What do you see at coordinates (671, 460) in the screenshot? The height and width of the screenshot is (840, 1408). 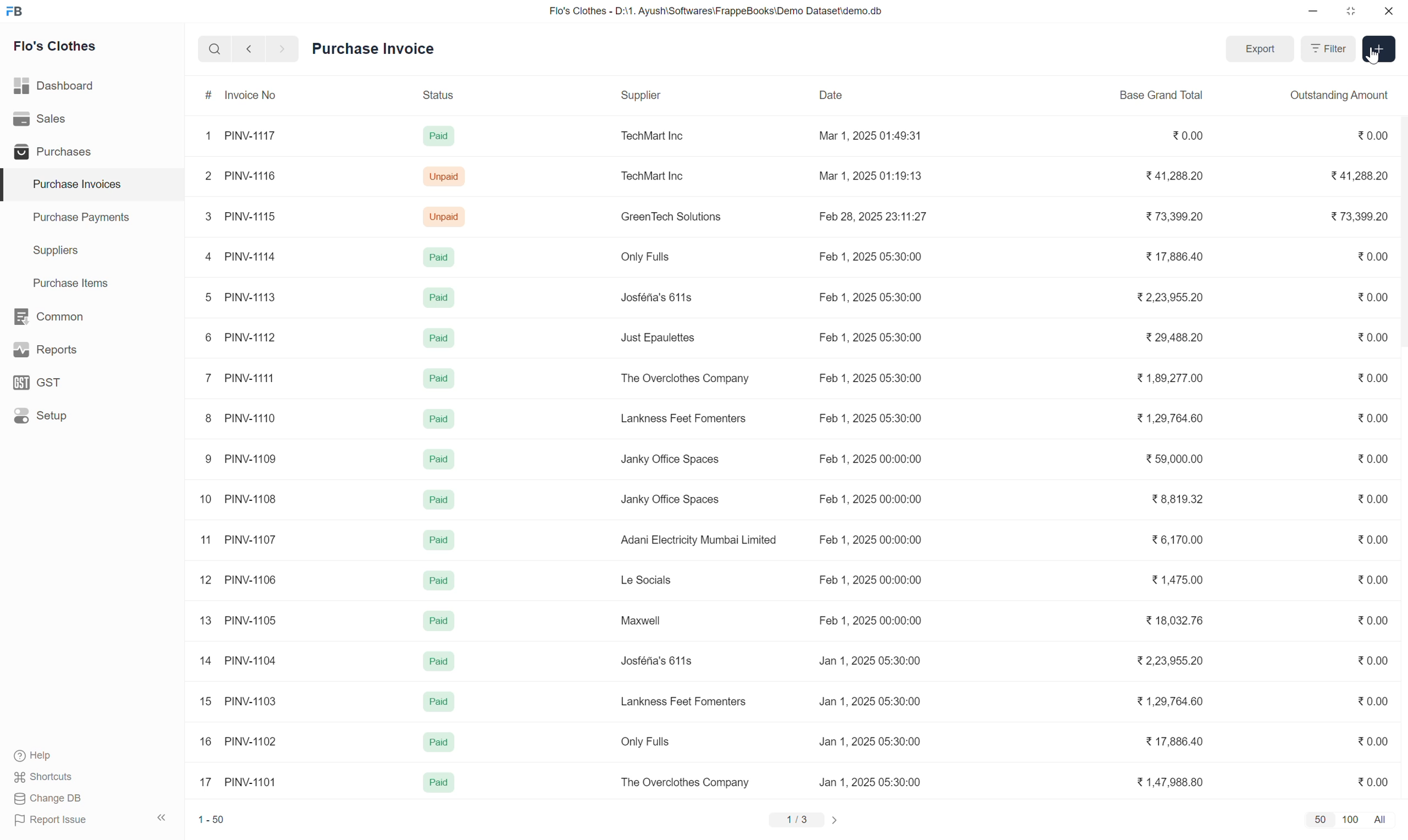 I see `Janky Office Spaces` at bounding box center [671, 460].